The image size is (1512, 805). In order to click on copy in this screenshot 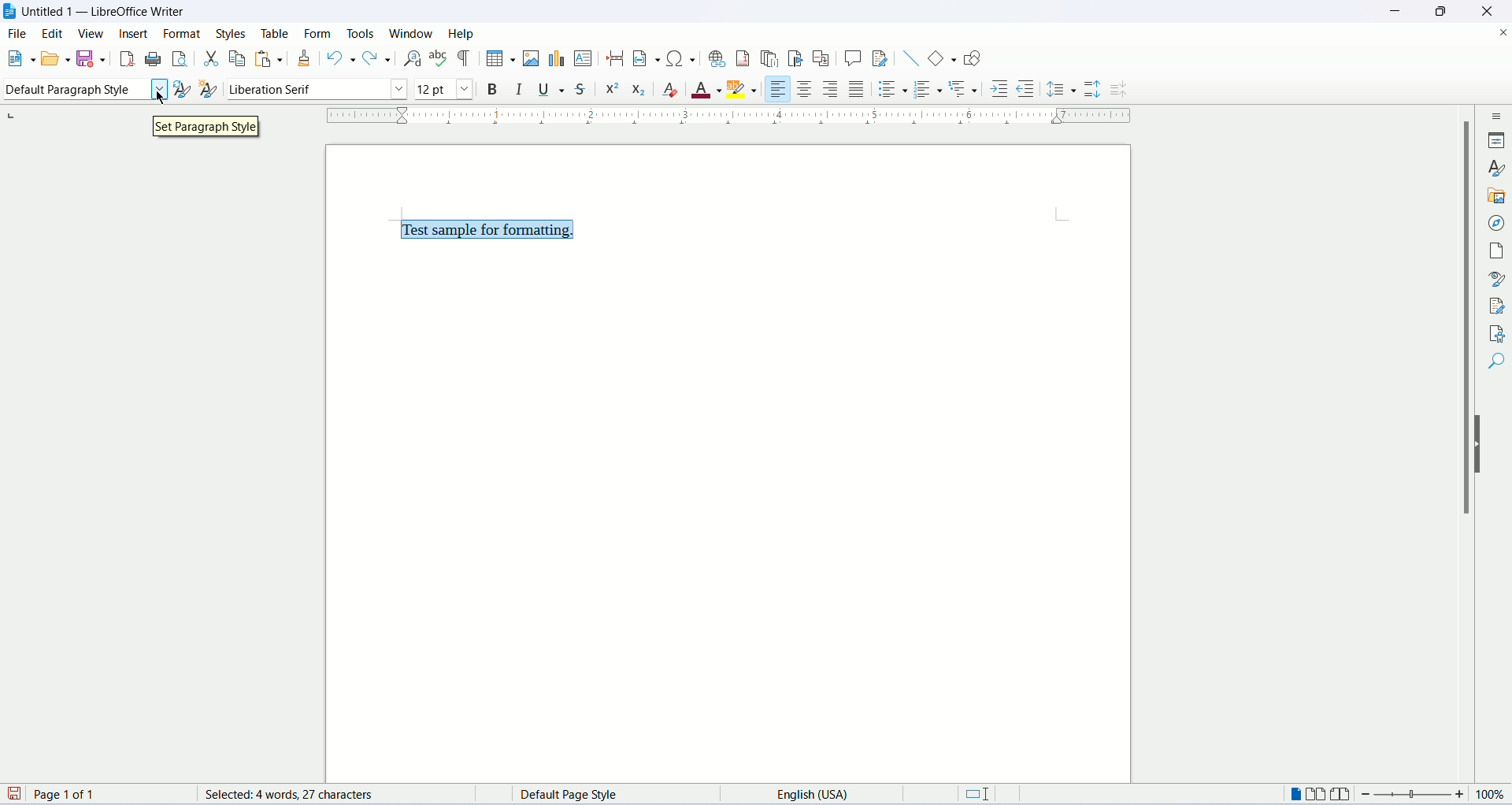, I will do `click(234, 58)`.